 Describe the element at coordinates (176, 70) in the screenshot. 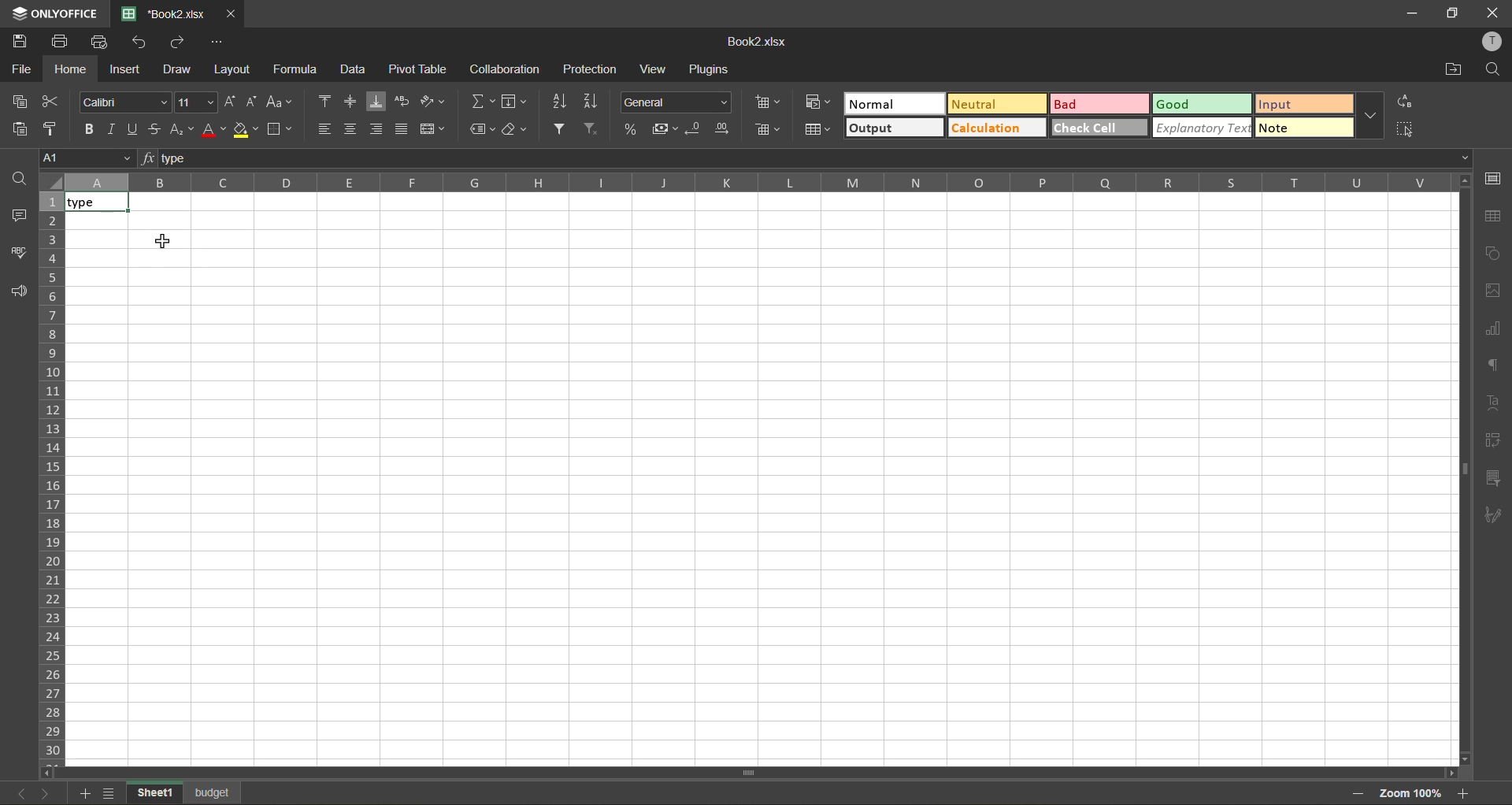

I see `draw` at that location.